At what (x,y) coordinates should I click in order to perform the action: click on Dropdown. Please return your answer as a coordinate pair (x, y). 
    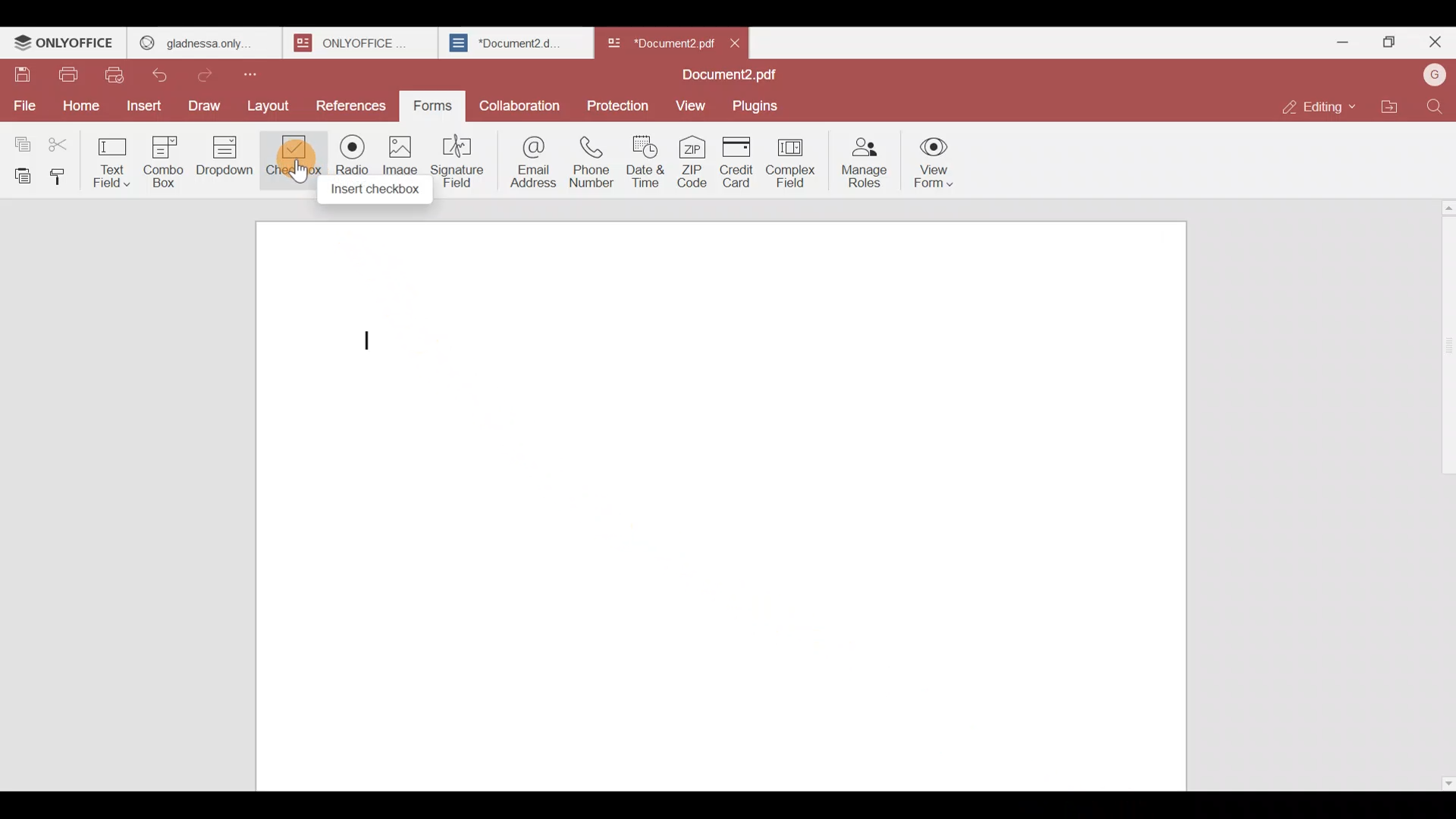
    Looking at the image, I should click on (227, 162).